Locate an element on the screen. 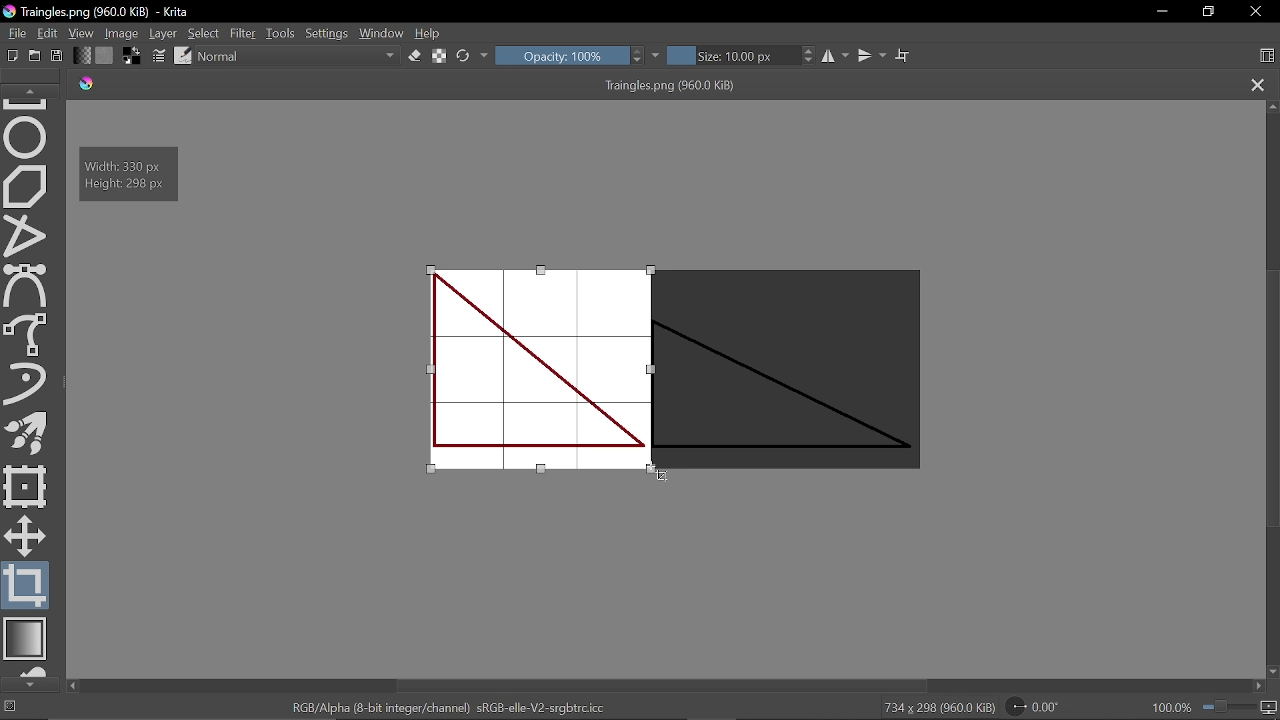 The height and width of the screenshot is (720, 1280). Opacity: 100% is located at coordinates (561, 55).